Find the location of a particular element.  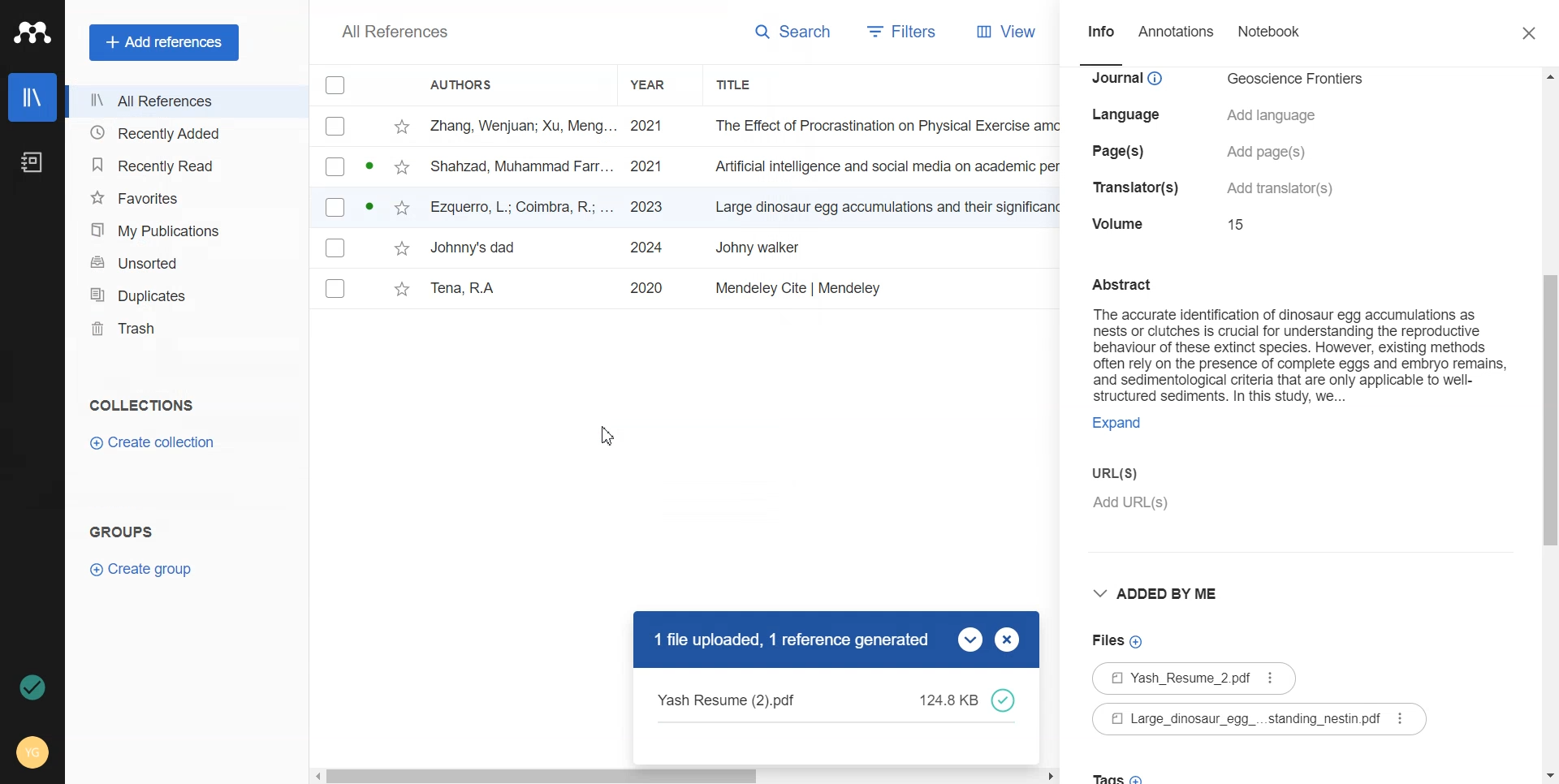

Account is located at coordinates (30, 749).